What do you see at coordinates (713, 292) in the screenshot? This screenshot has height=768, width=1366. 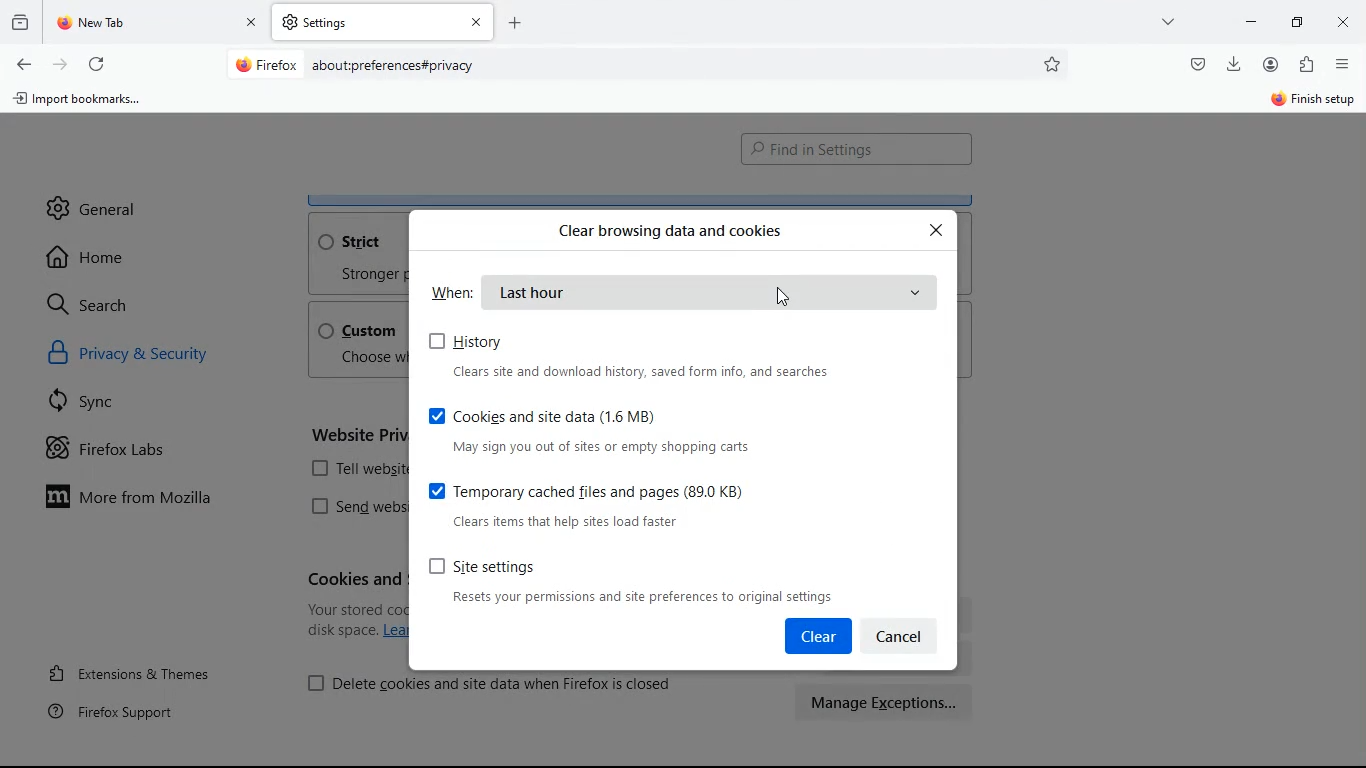 I see `last hour` at bounding box center [713, 292].